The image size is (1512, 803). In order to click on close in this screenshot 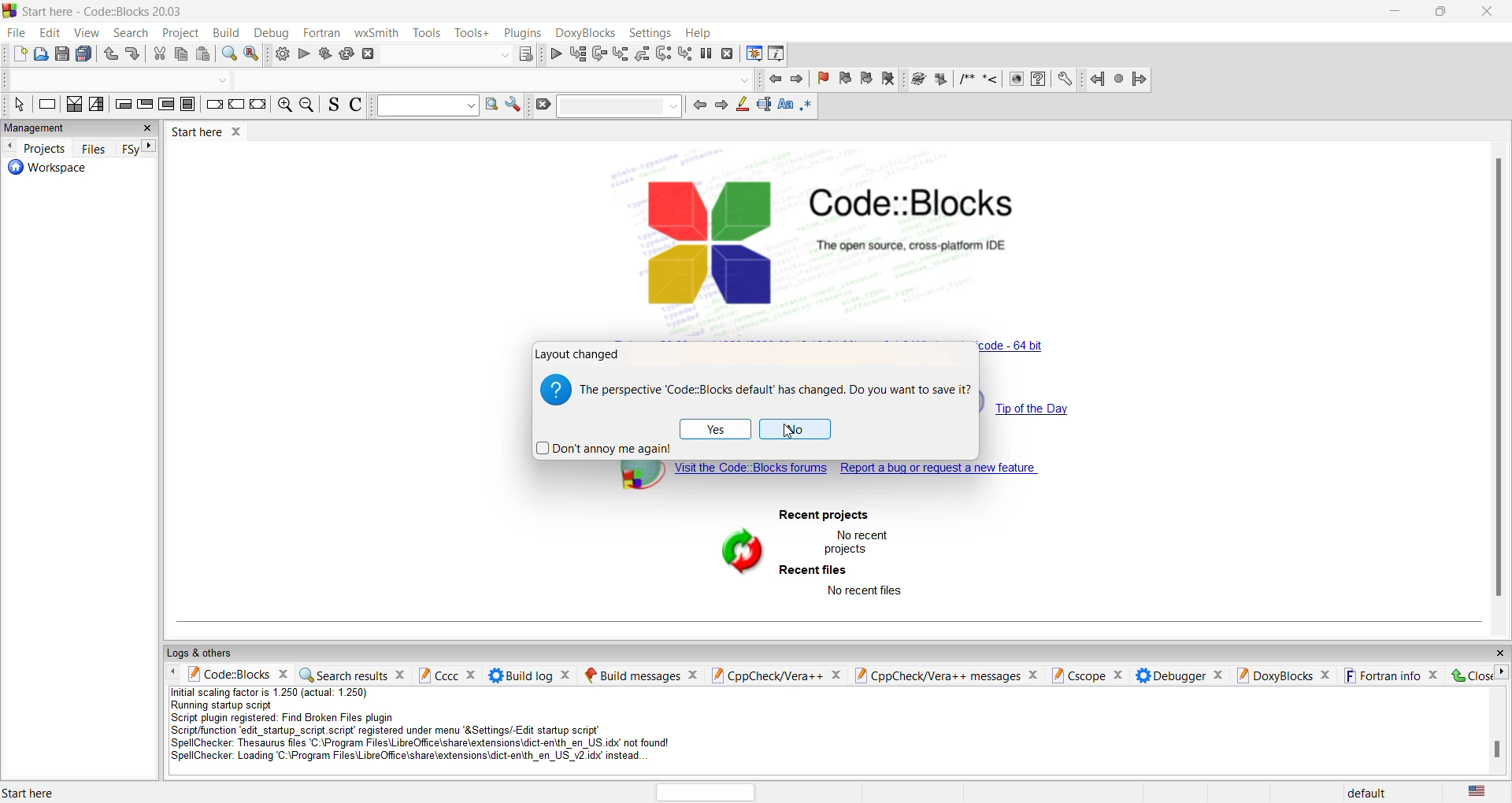, I will do `click(1467, 675)`.